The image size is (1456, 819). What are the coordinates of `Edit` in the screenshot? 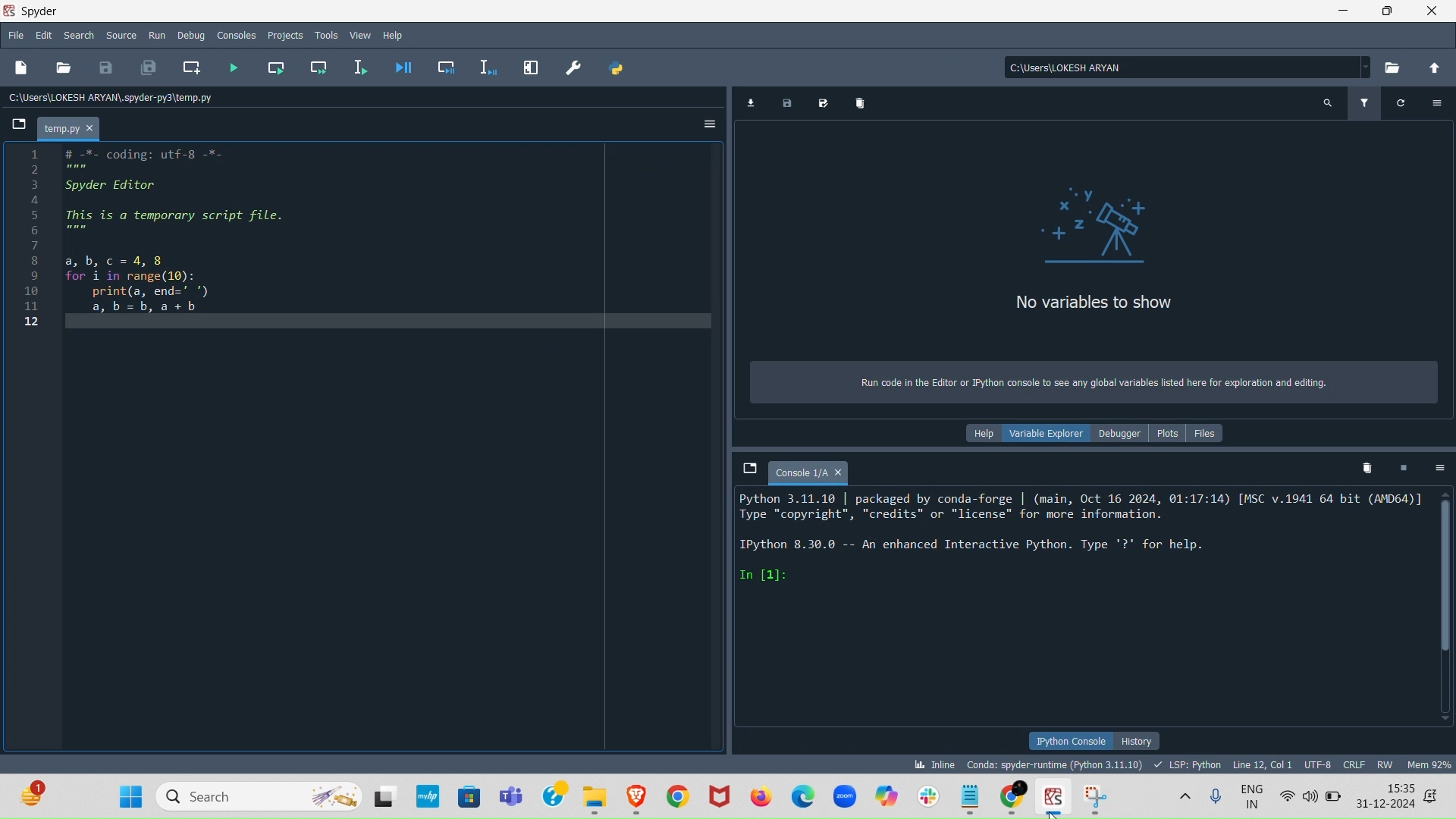 It's located at (42, 33).